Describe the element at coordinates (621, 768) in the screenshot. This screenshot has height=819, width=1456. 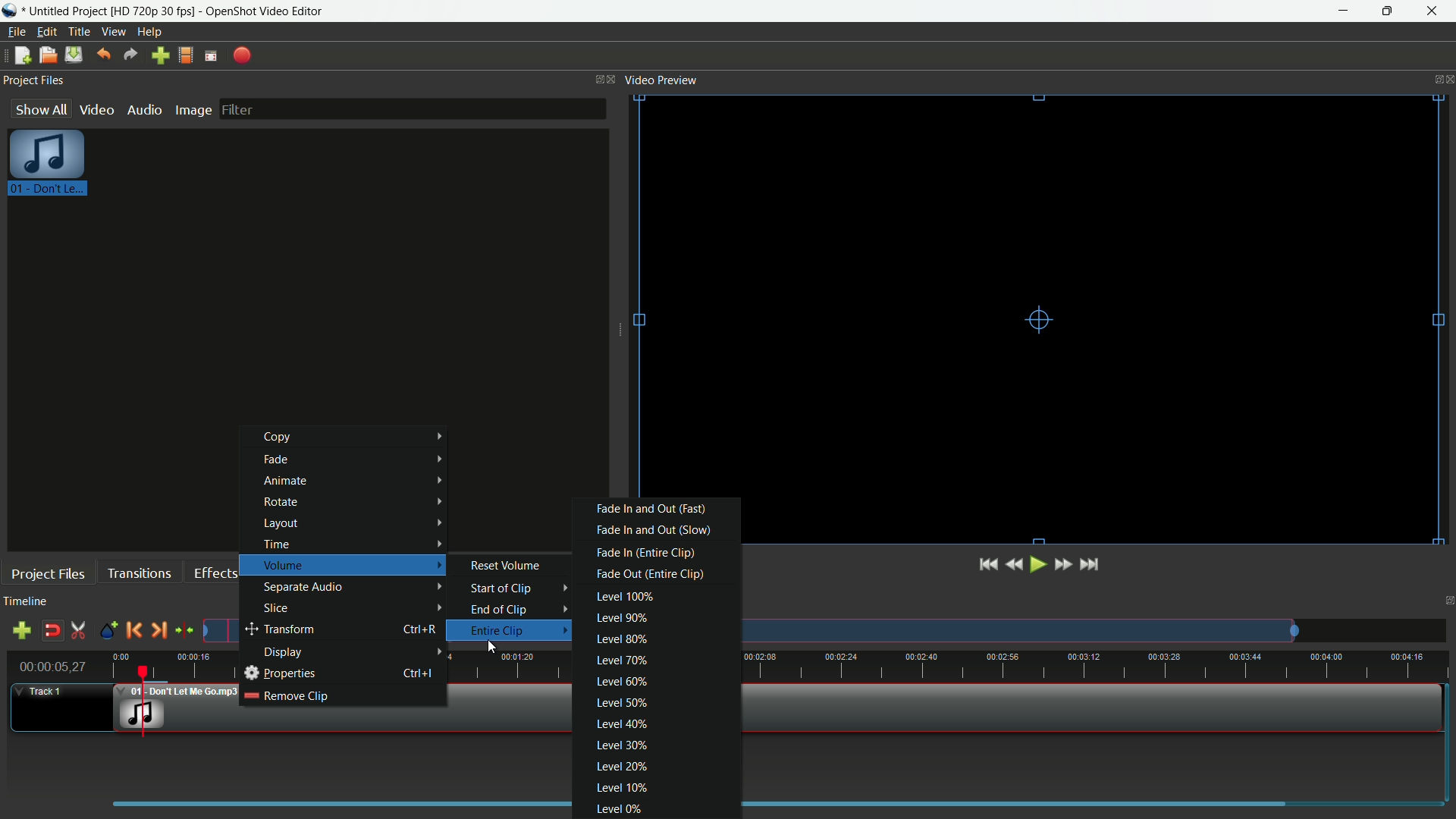
I see `level 20%` at that location.